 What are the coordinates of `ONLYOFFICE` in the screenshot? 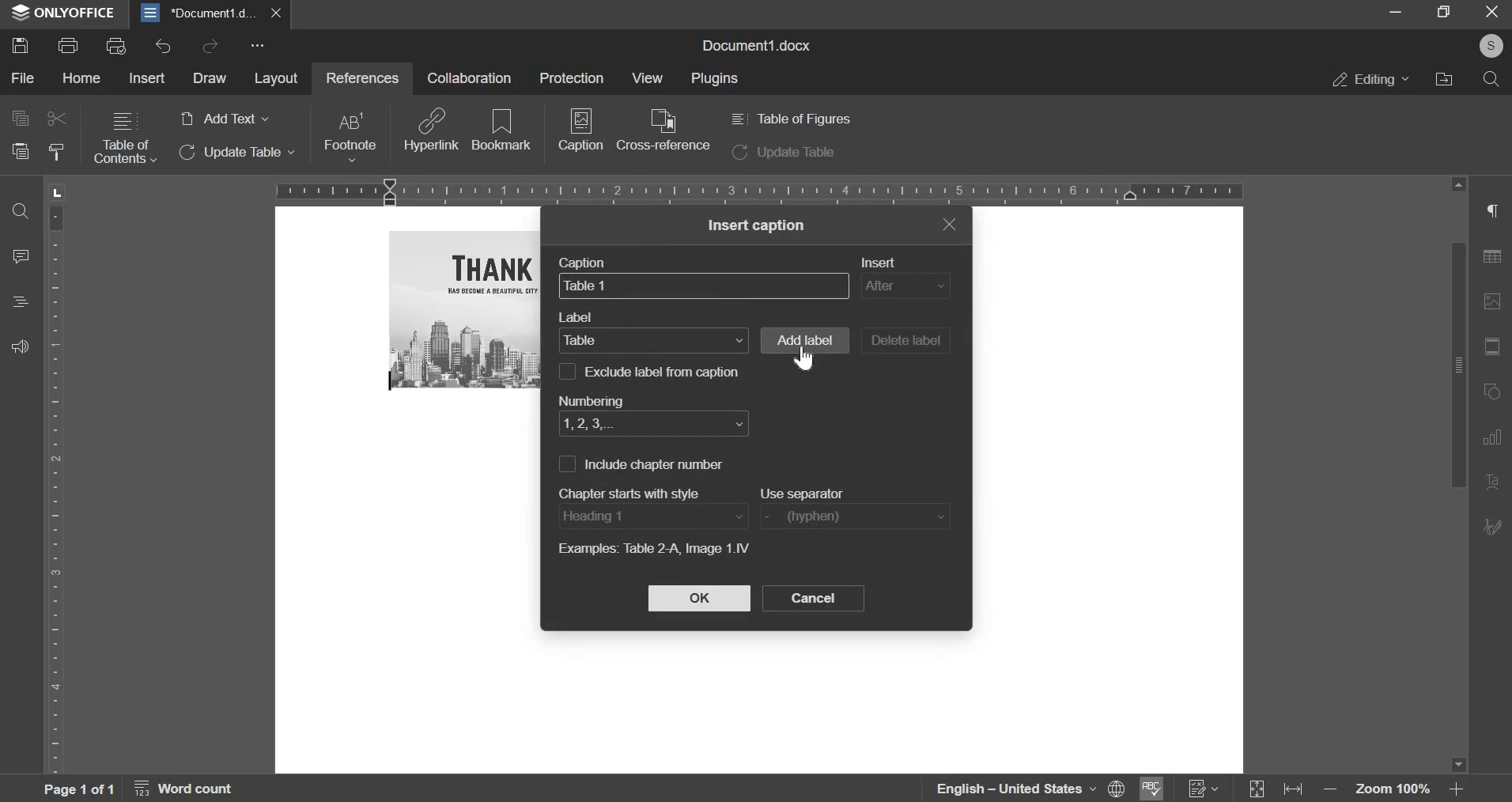 It's located at (63, 13).